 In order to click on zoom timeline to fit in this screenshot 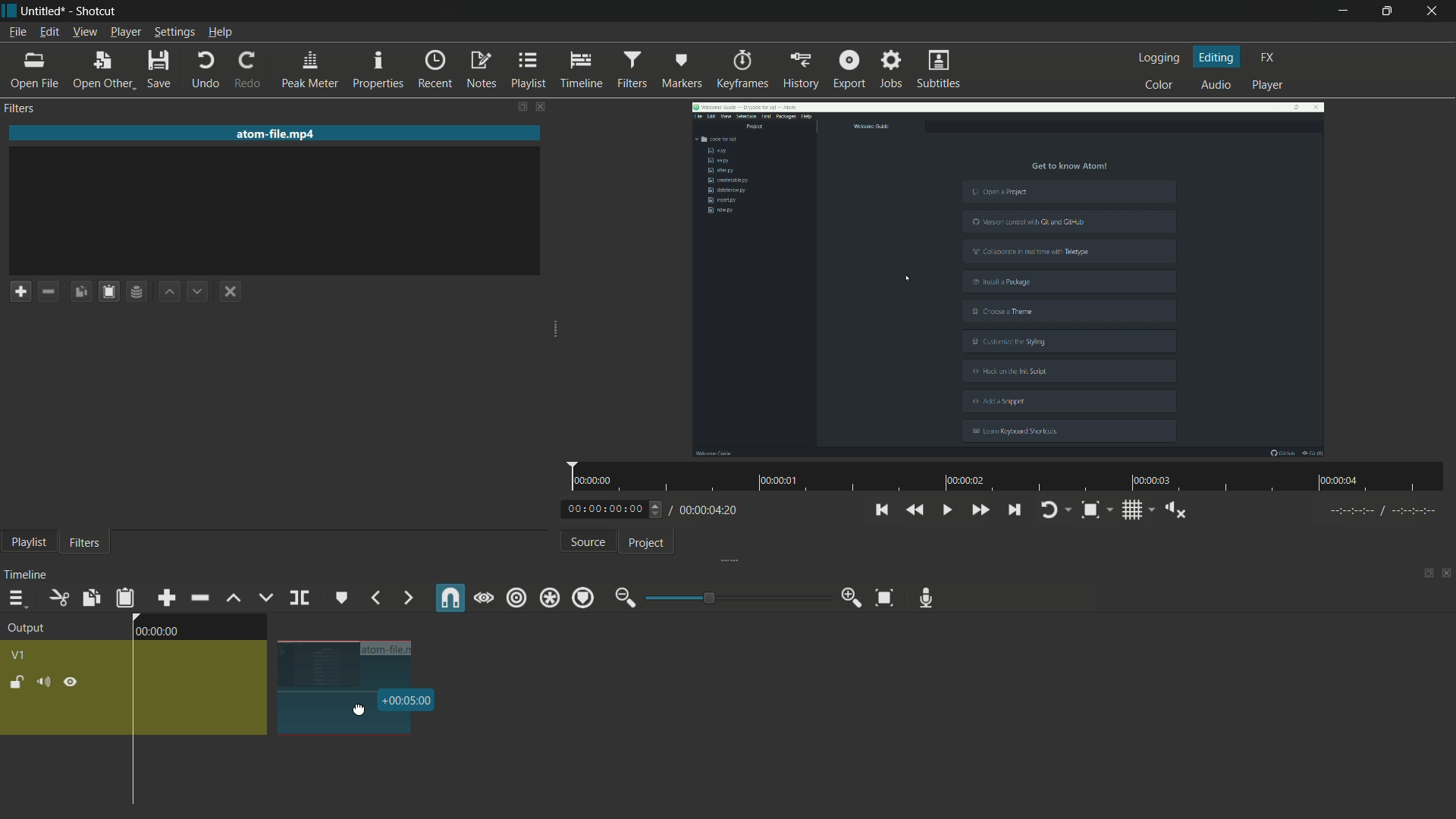, I will do `click(885, 598)`.